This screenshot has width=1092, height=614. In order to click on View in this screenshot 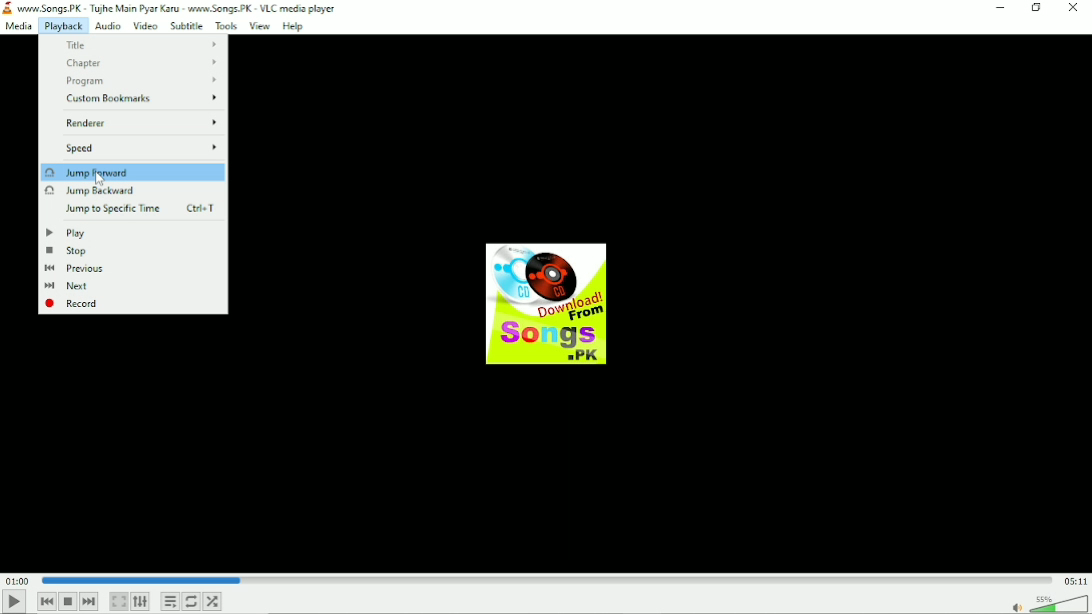, I will do `click(259, 27)`.